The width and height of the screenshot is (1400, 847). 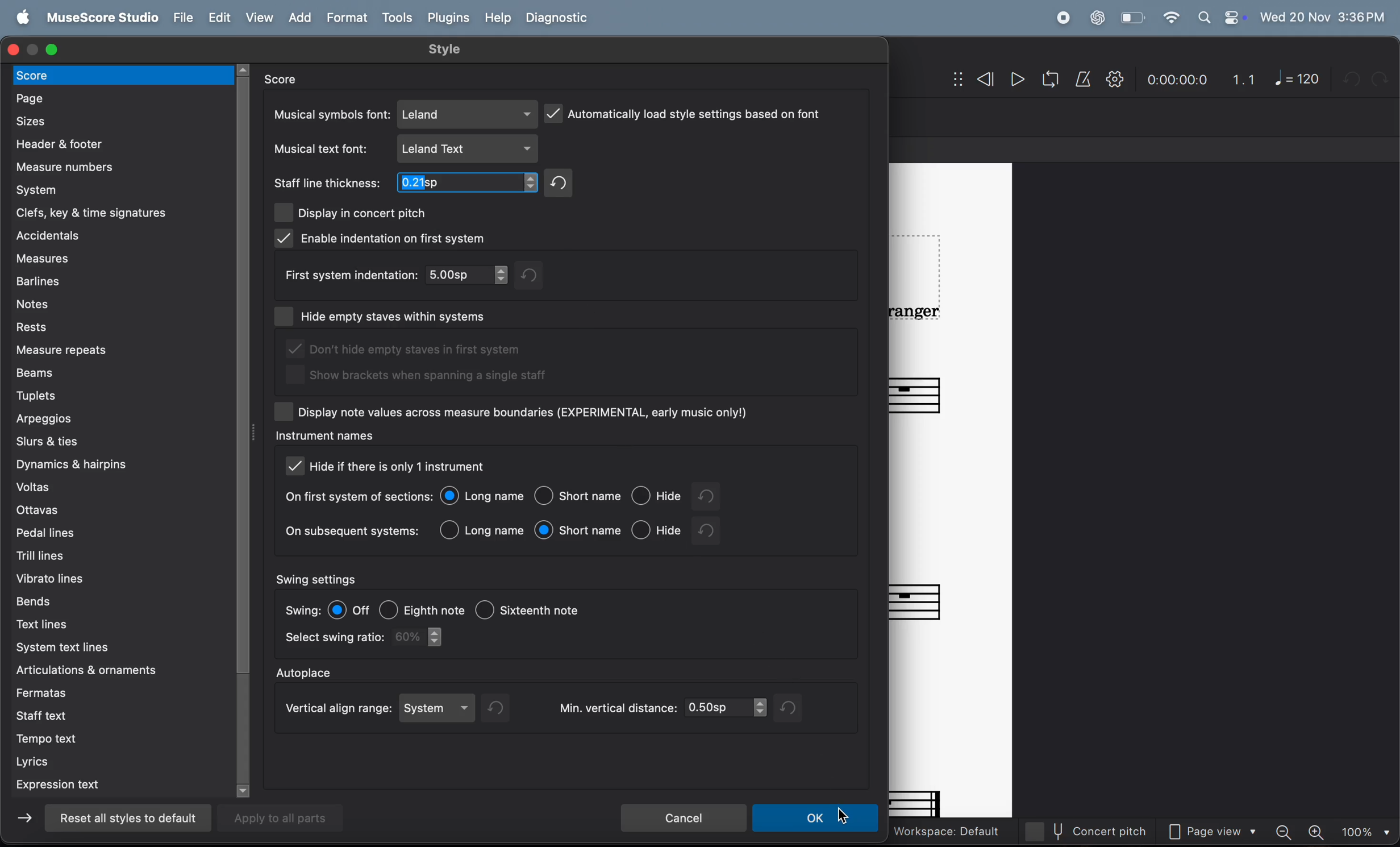 I want to click on short naame, so click(x=580, y=497).